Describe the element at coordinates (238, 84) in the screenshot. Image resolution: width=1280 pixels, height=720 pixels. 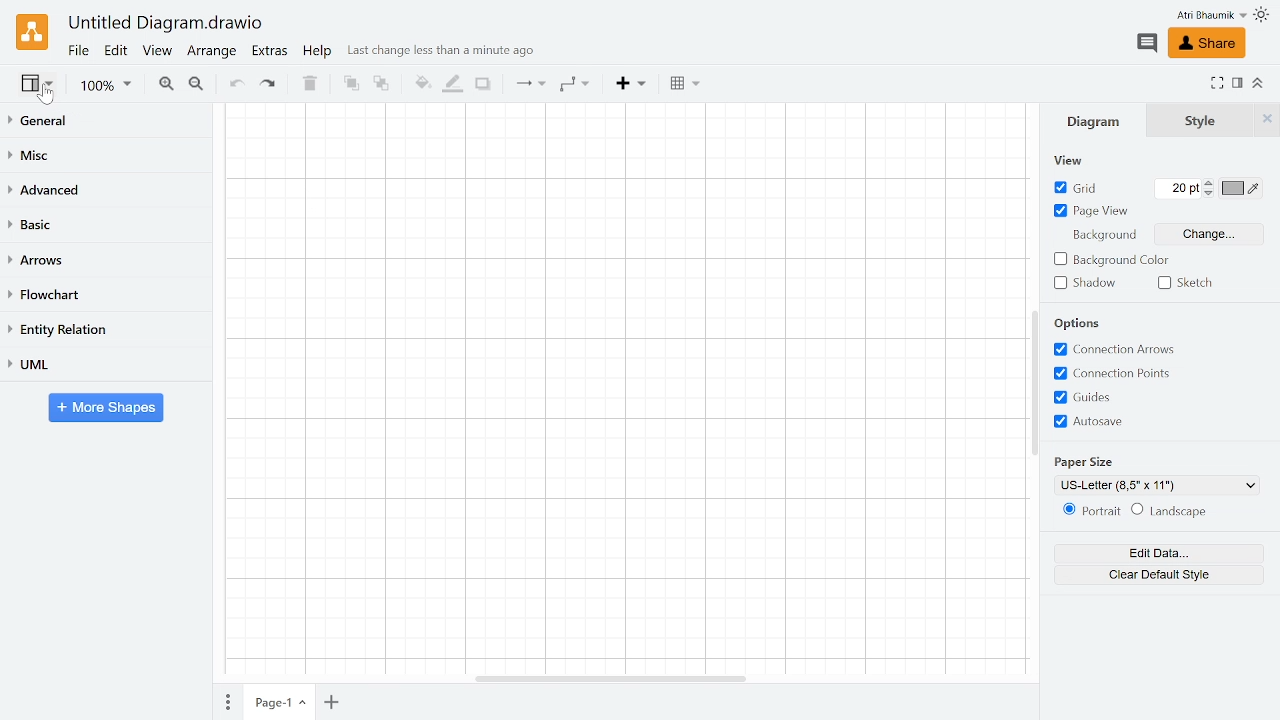
I see `Undo` at that location.